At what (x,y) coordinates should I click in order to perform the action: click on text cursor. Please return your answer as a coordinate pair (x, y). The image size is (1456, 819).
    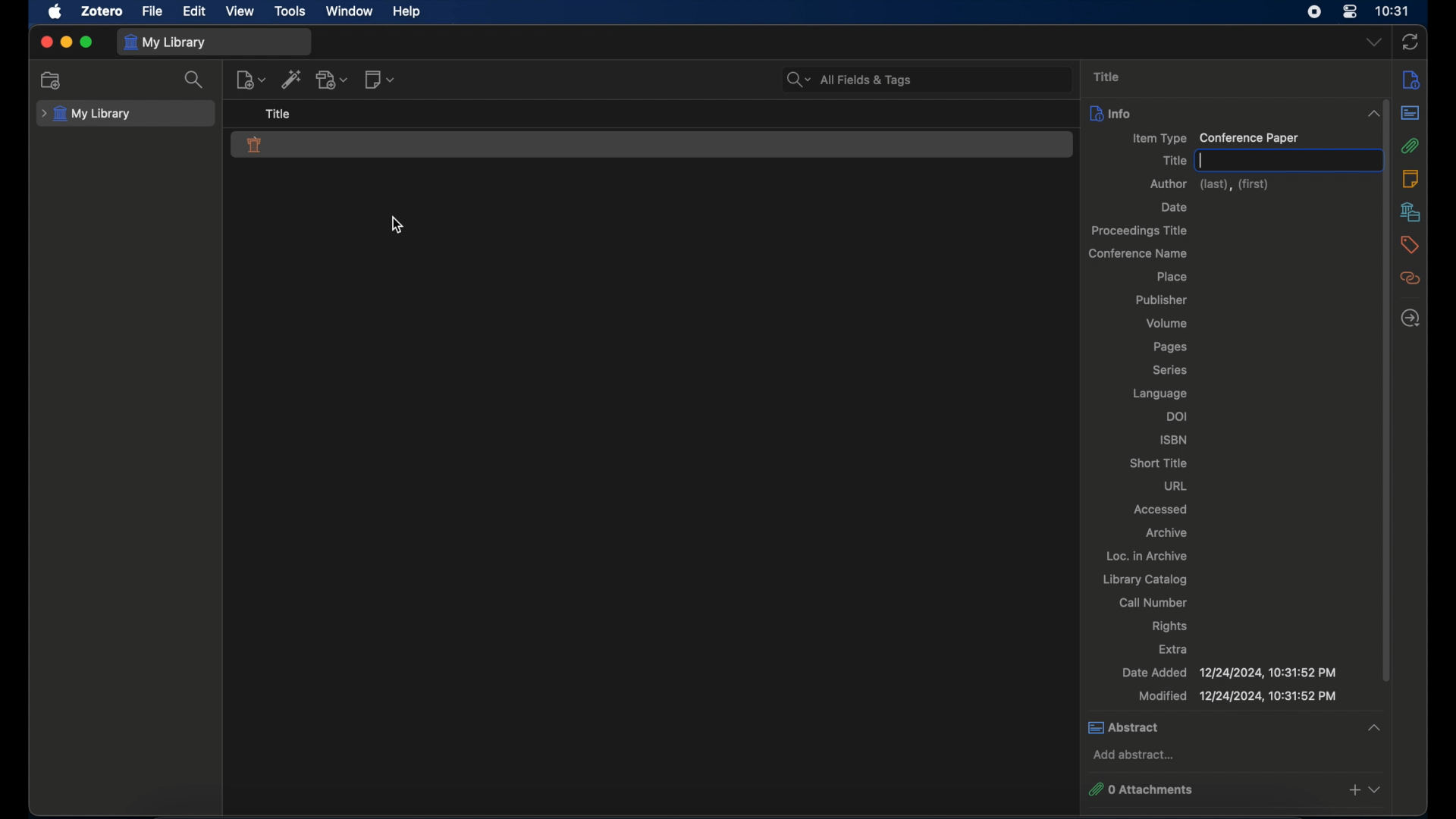
    Looking at the image, I should click on (1202, 161).